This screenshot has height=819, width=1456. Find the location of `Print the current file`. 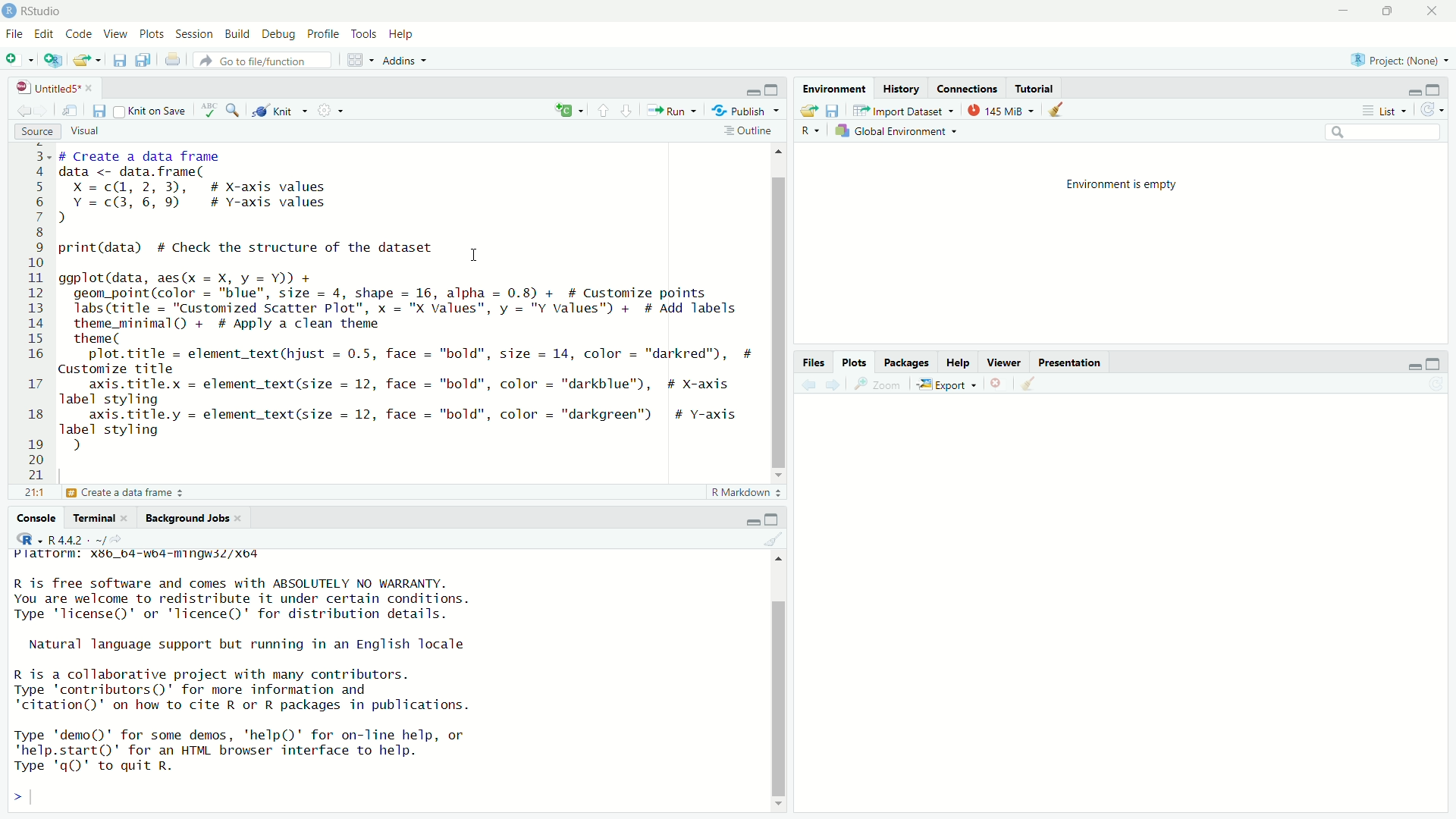

Print the current file is located at coordinates (173, 60).